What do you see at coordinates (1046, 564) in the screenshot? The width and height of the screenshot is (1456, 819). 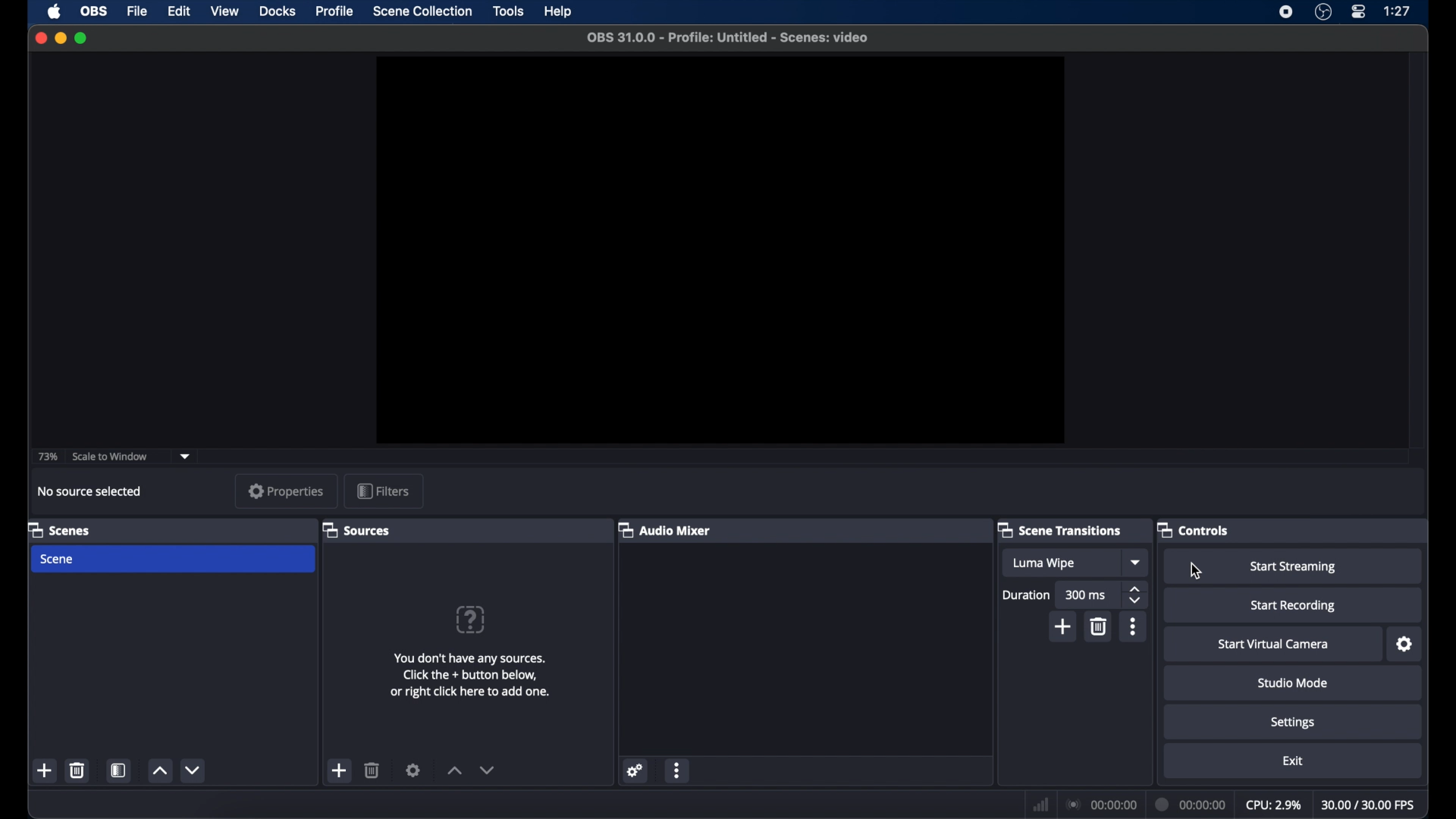 I see `luma wipe` at bounding box center [1046, 564].